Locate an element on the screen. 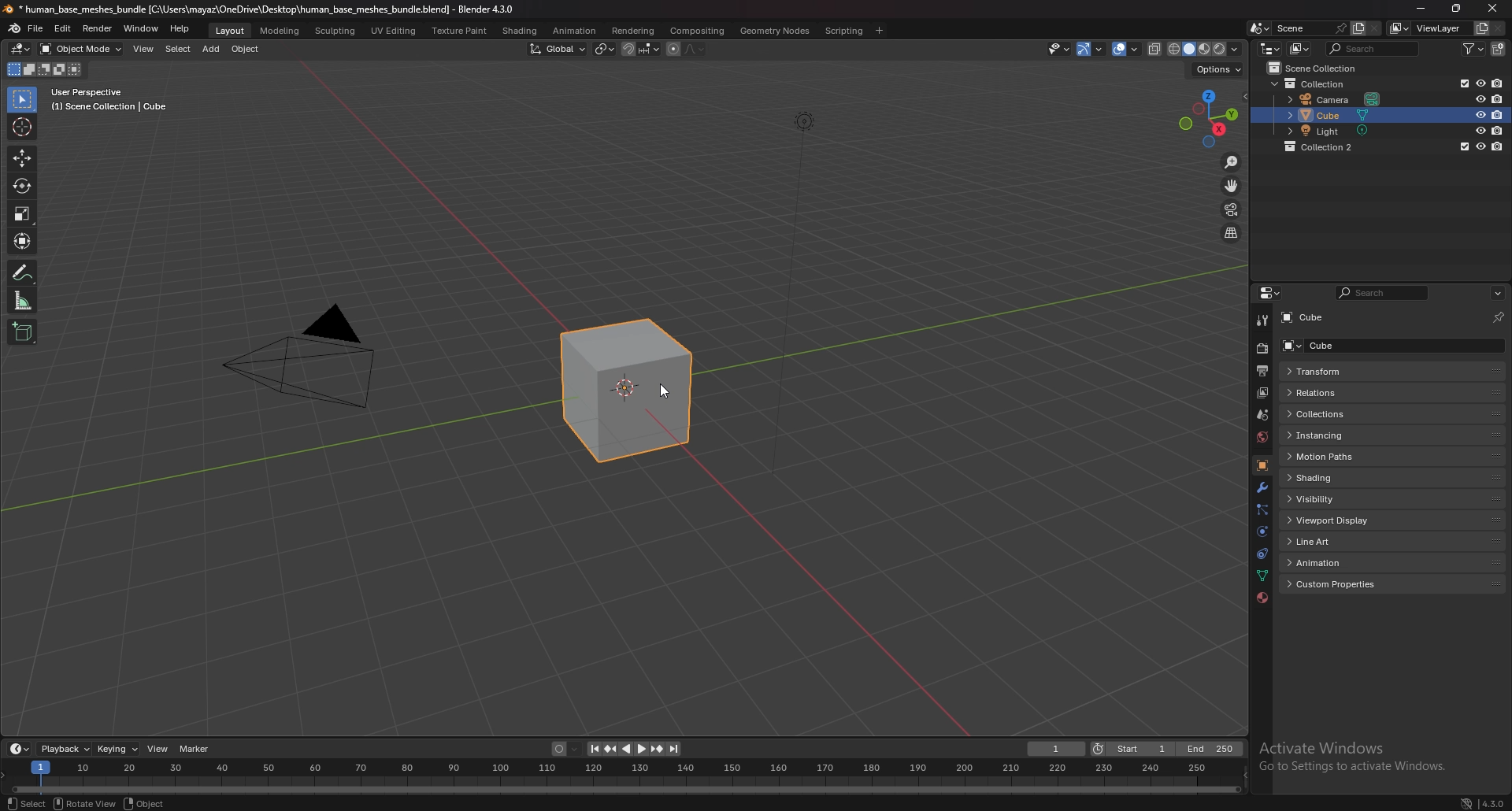 Image resolution: width=1512 pixels, height=811 pixels. transform orientation is located at coordinates (558, 49).